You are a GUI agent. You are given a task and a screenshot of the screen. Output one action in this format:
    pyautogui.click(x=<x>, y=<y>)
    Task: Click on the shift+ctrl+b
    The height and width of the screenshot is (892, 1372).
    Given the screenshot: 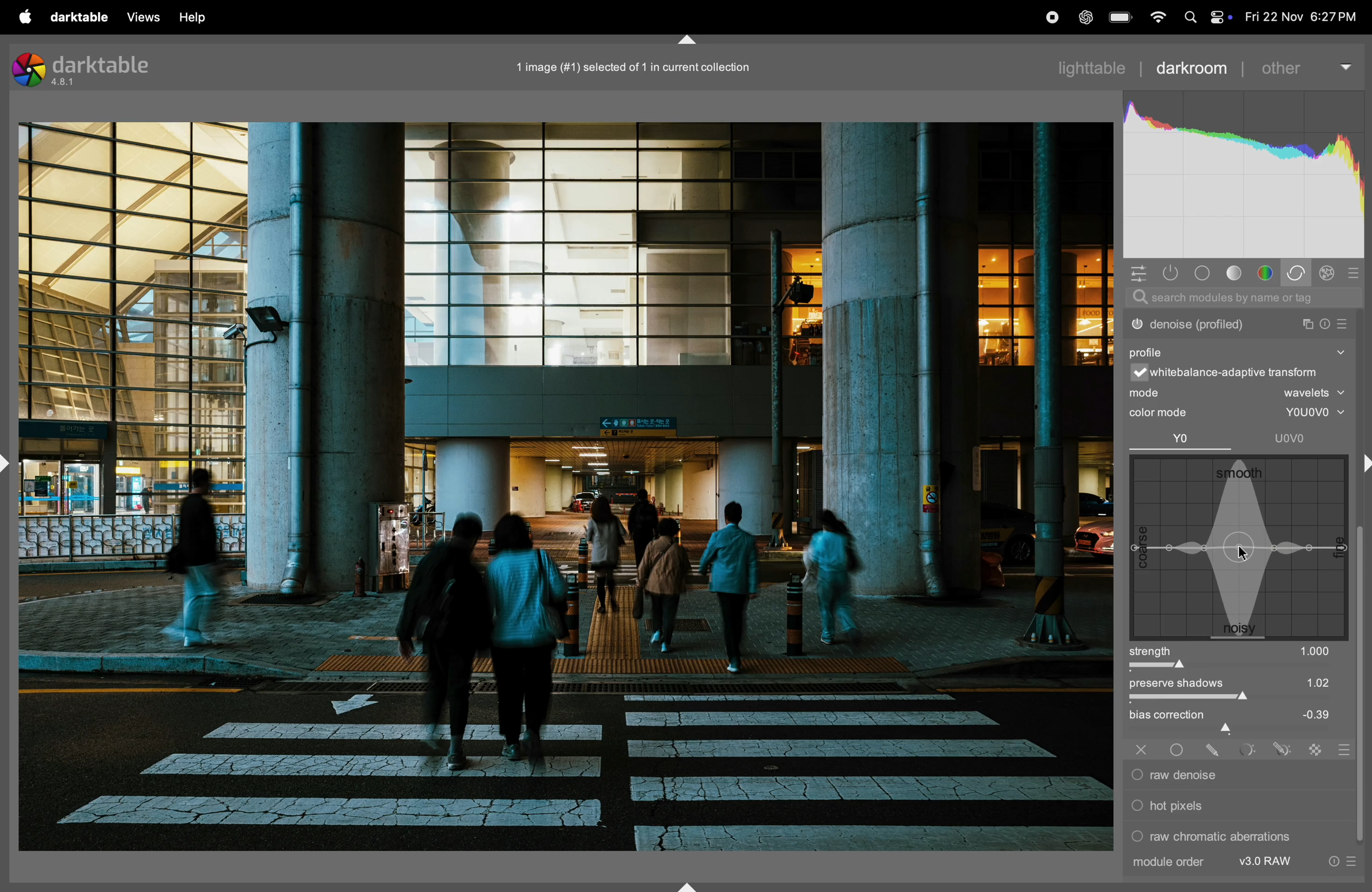 What is the action you would take?
    pyautogui.click(x=689, y=886)
    